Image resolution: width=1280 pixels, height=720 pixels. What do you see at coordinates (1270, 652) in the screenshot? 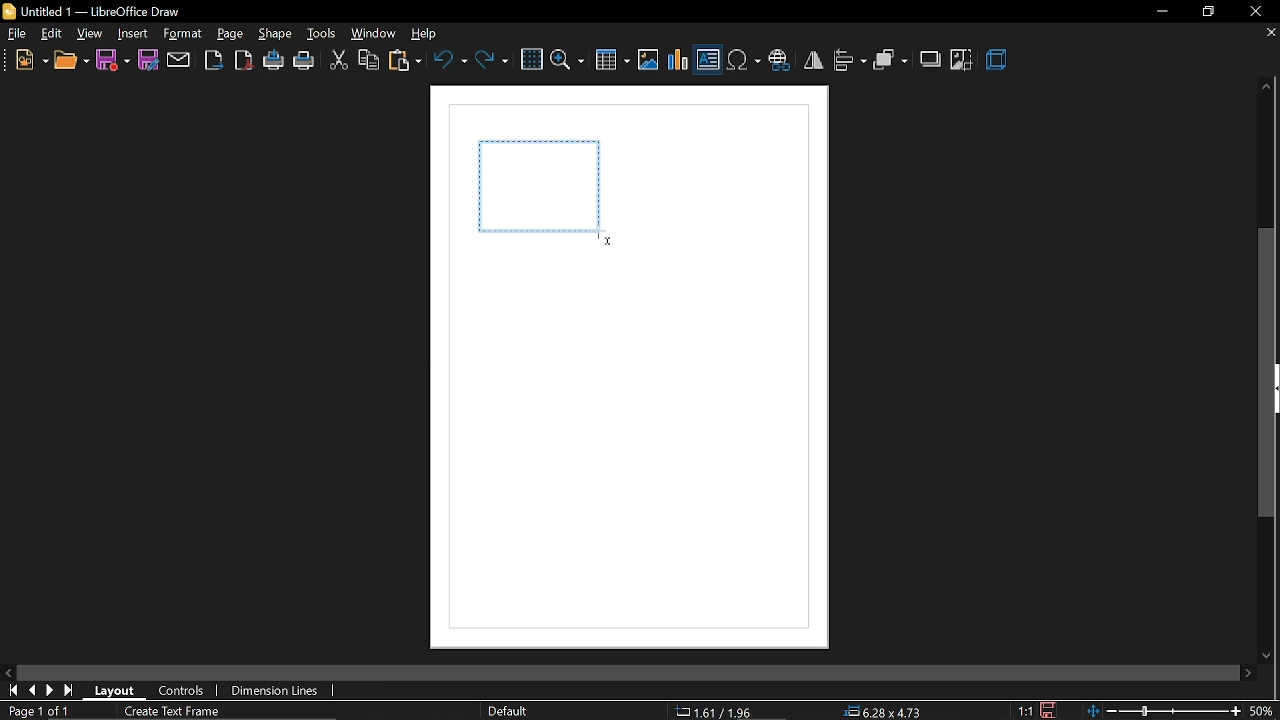
I see `move down` at bounding box center [1270, 652].